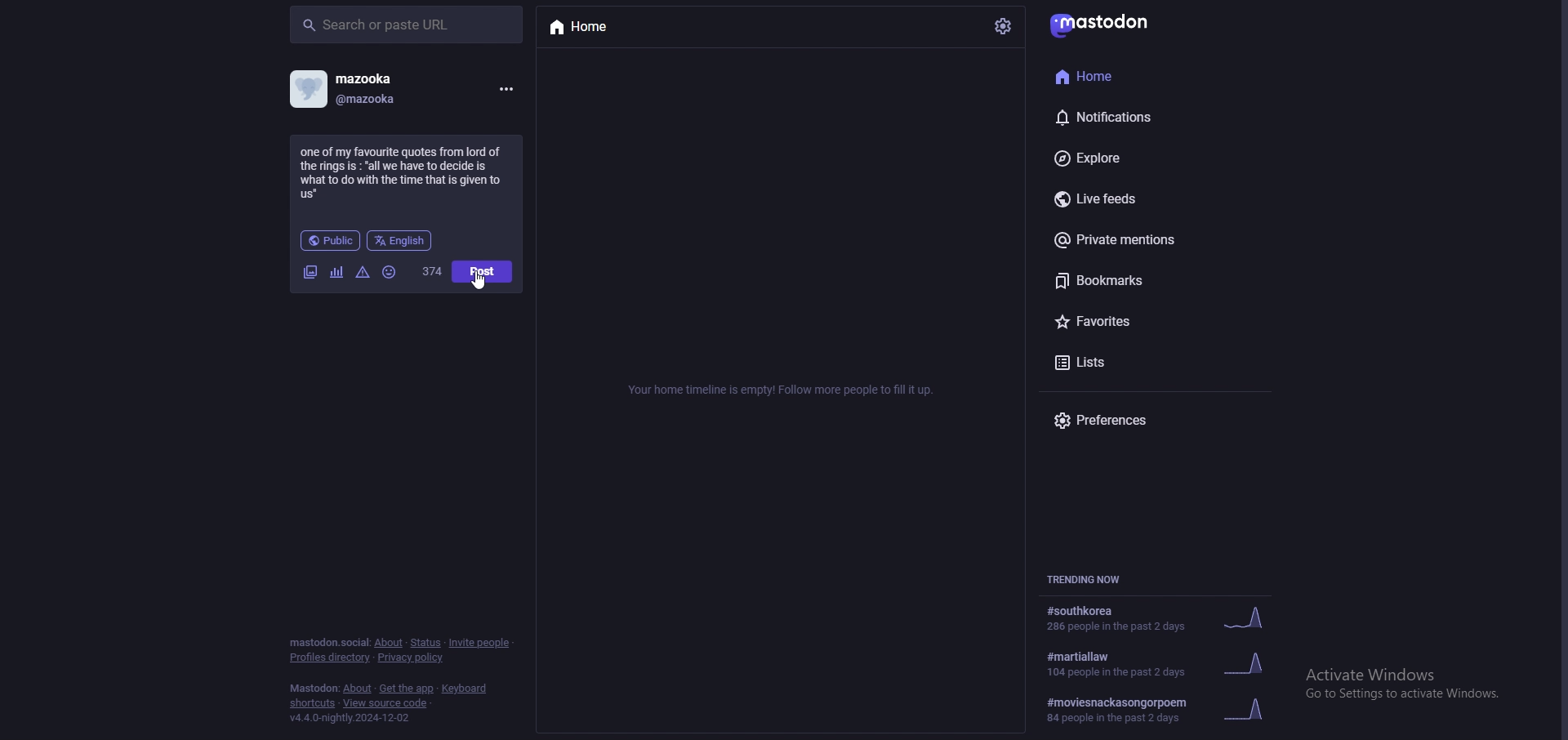 Image resolution: width=1568 pixels, height=740 pixels. Describe the element at coordinates (330, 658) in the screenshot. I see `profiles directory` at that location.